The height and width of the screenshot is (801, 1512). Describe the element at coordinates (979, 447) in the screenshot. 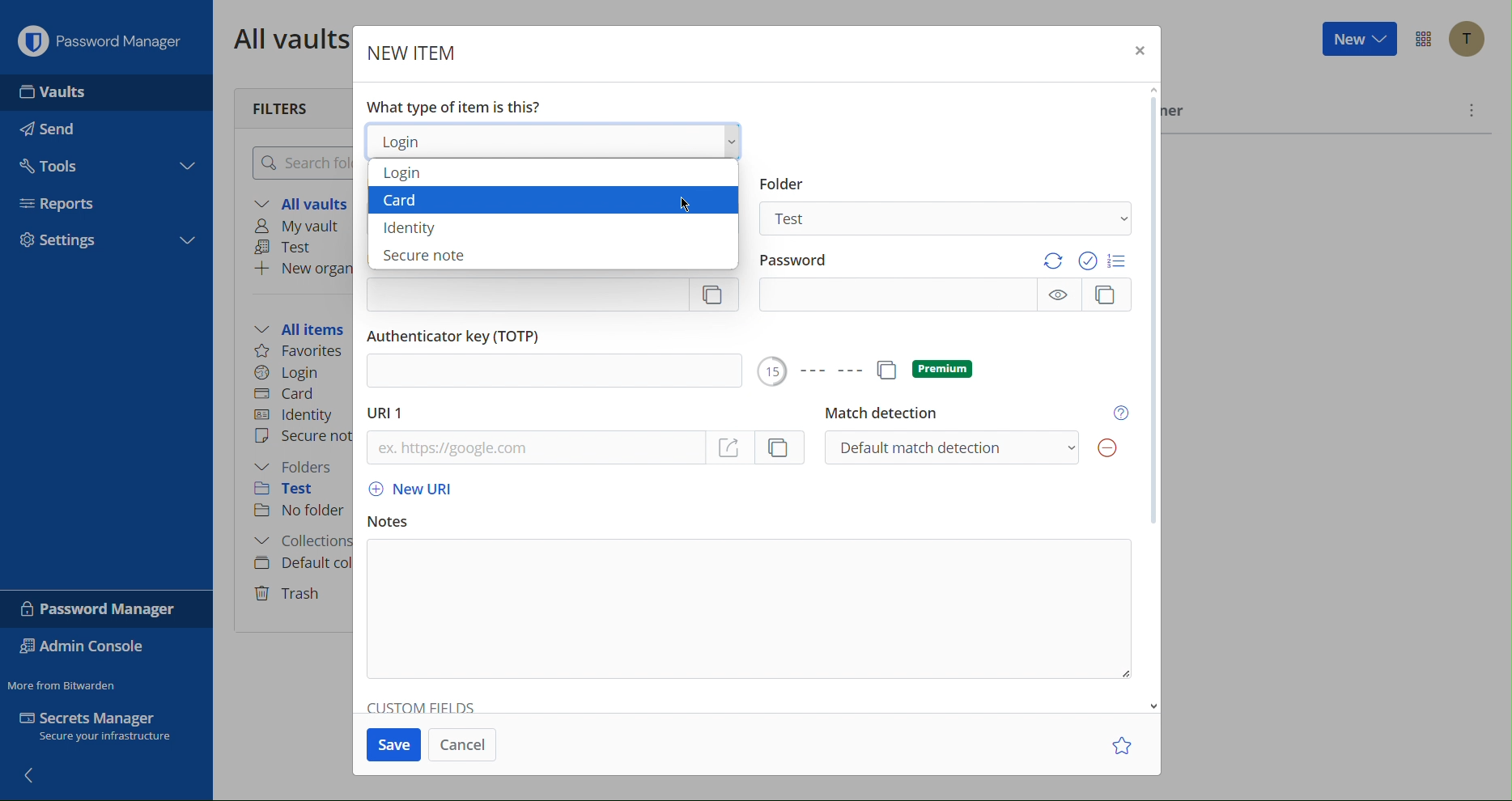

I see `Default match detection` at that location.